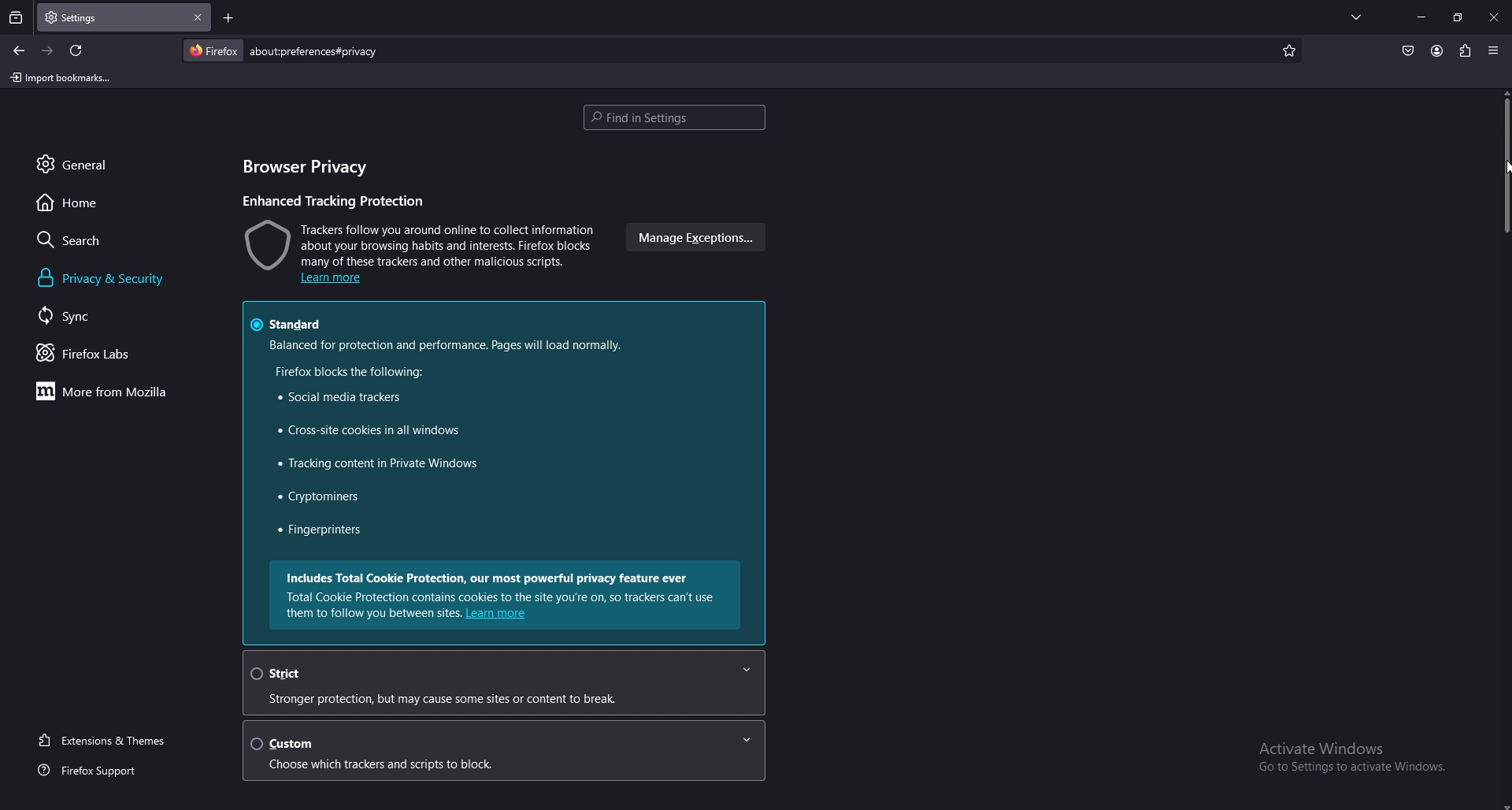 This screenshot has height=810, width=1512. Describe the element at coordinates (1457, 17) in the screenshot. I see `resize` at that location.